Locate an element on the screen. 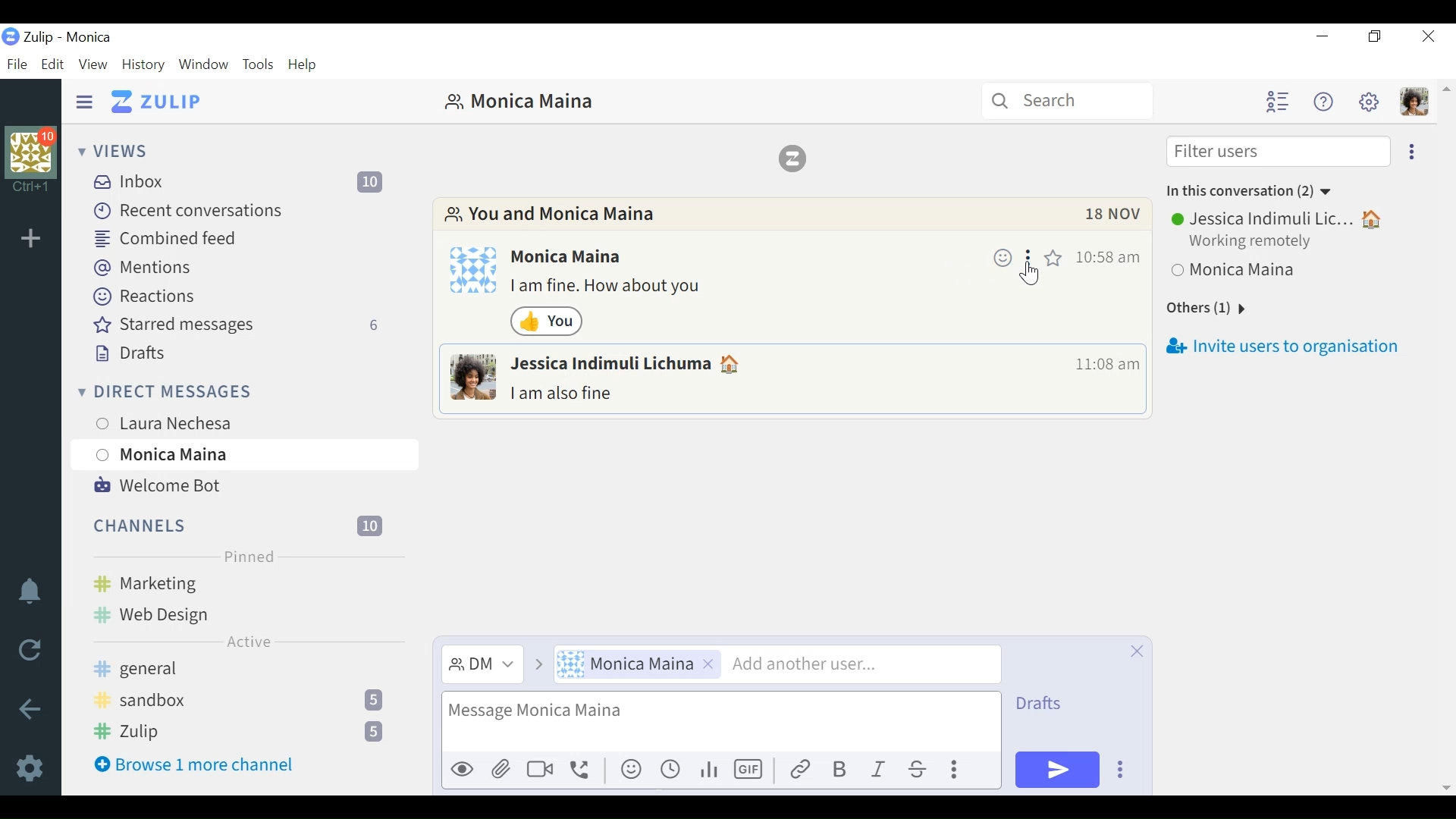 The image size is (1456, 819). Help menu is located at coordinates (1323, 103).